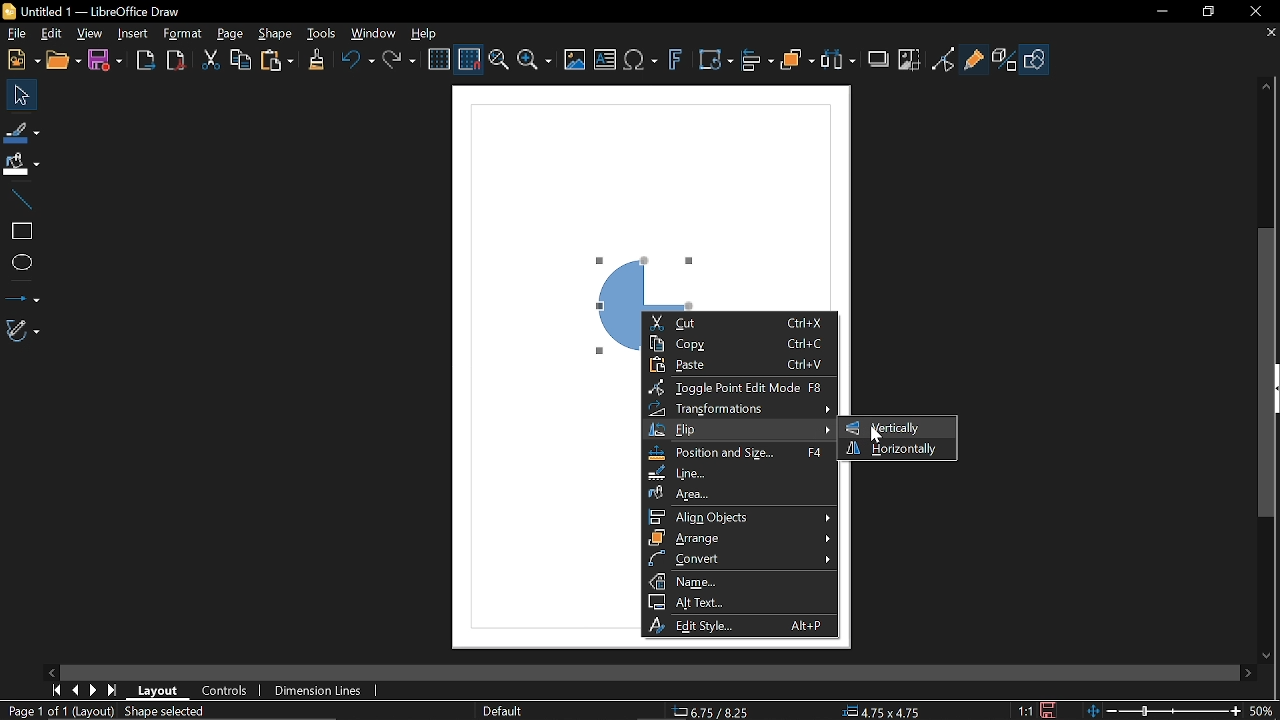 The height and width of the screenshot is (720, 1280). Describe the element at coordinates (64, 61) in the screenshot. I see `Open` at that location.